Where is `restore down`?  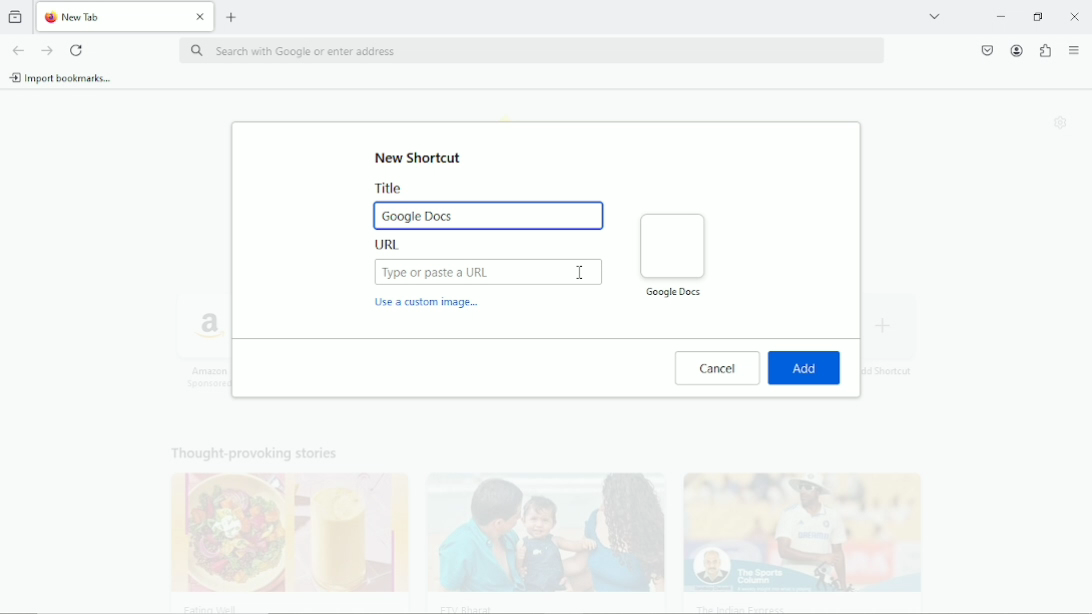
restore down is located at coordinates (1039, 16).